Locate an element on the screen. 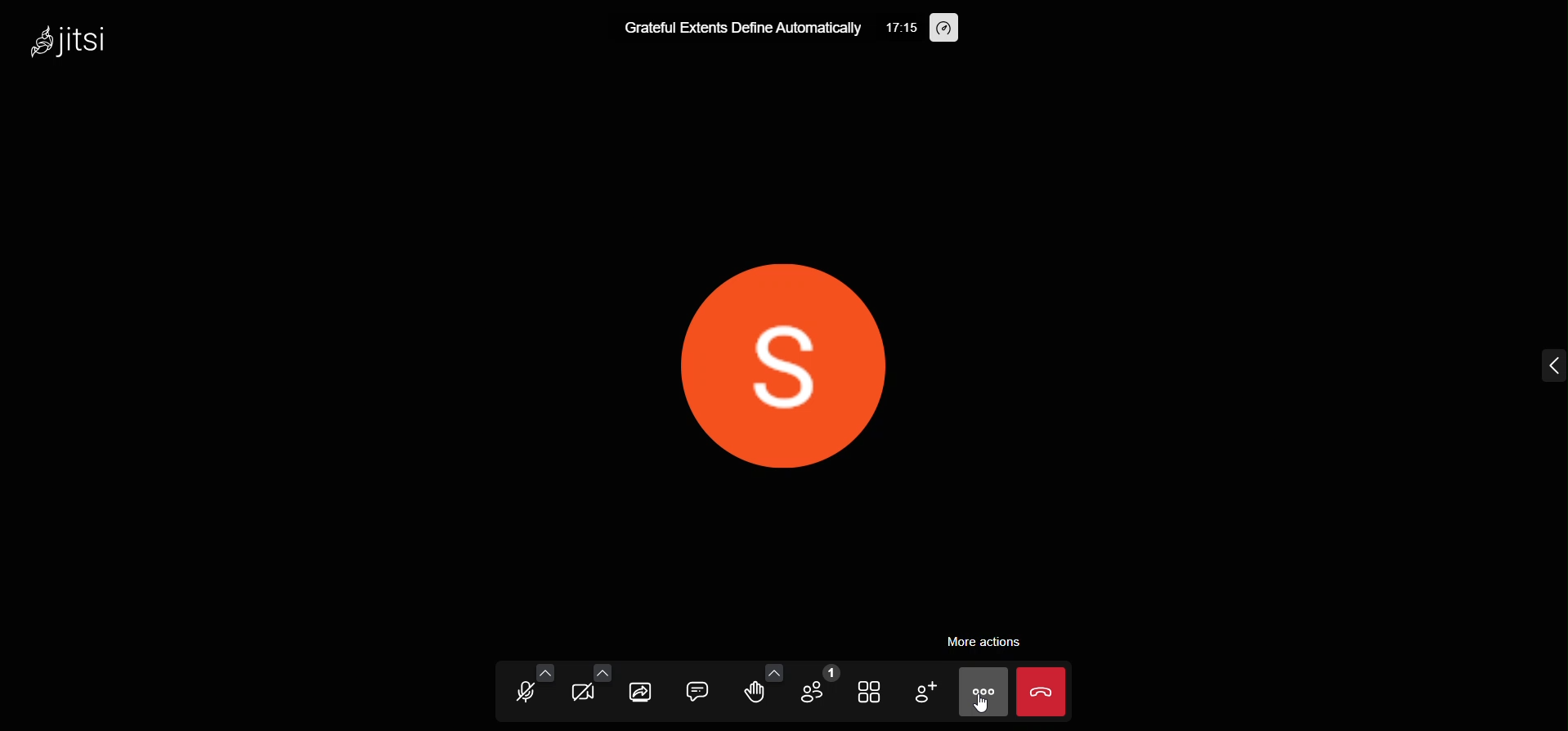 Image resolution: width=1568 pixels, height=731 pixels. raise hand is located at coordinates (756, 694).